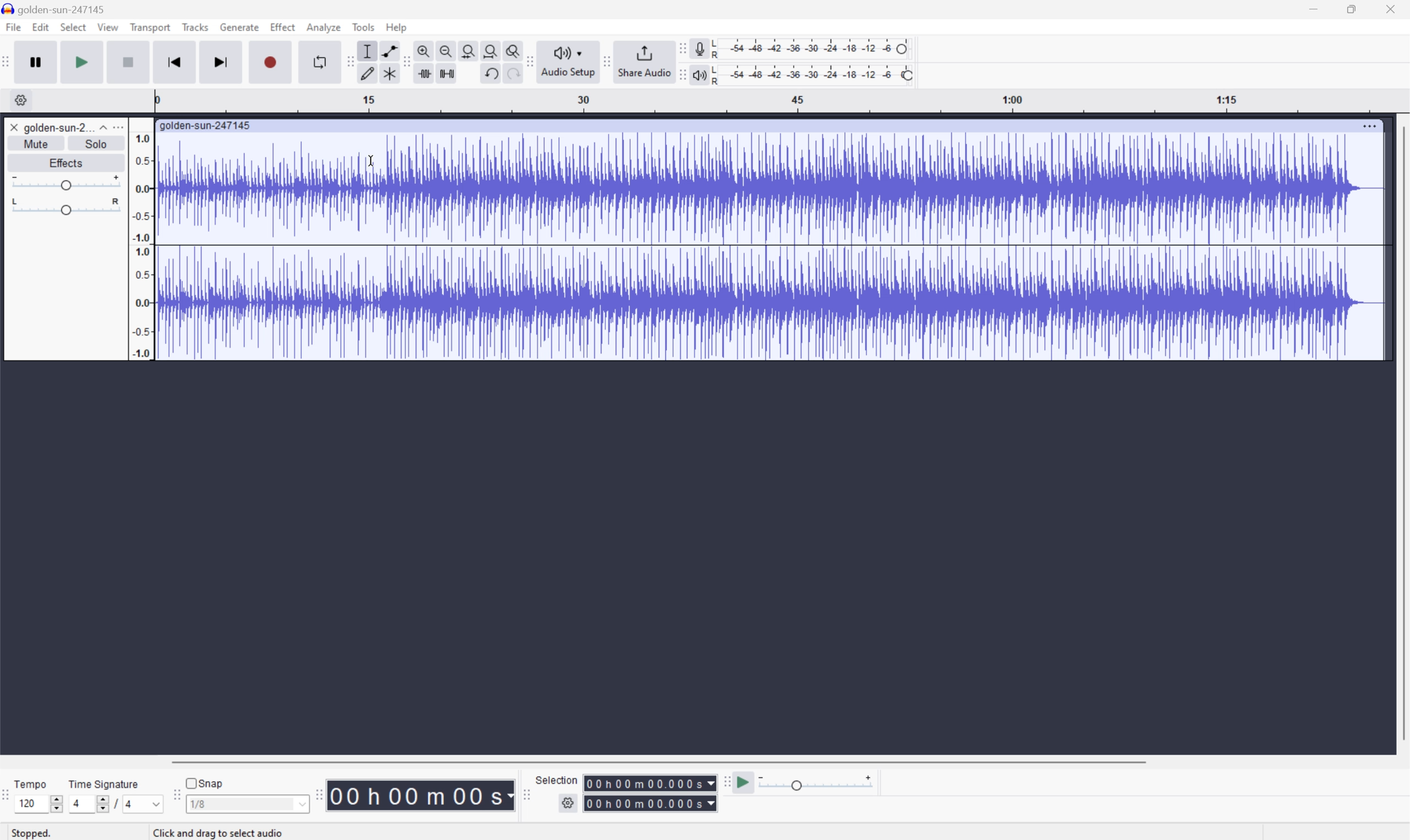  Describe the element at coordinates (130, 63) in the screenshot. I see `Stop` at that location.